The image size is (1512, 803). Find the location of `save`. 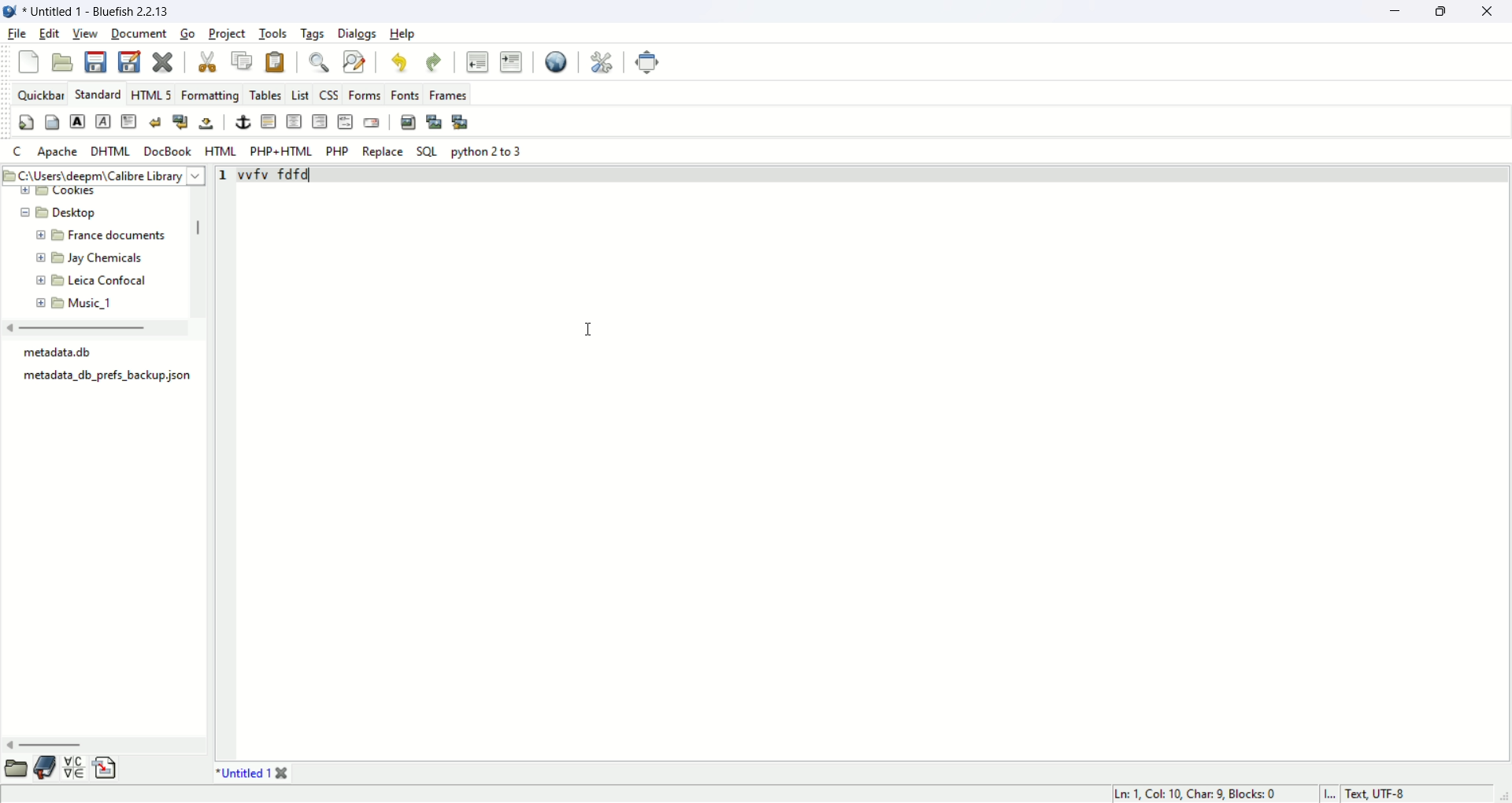

save is located at coordinates (94, 61).